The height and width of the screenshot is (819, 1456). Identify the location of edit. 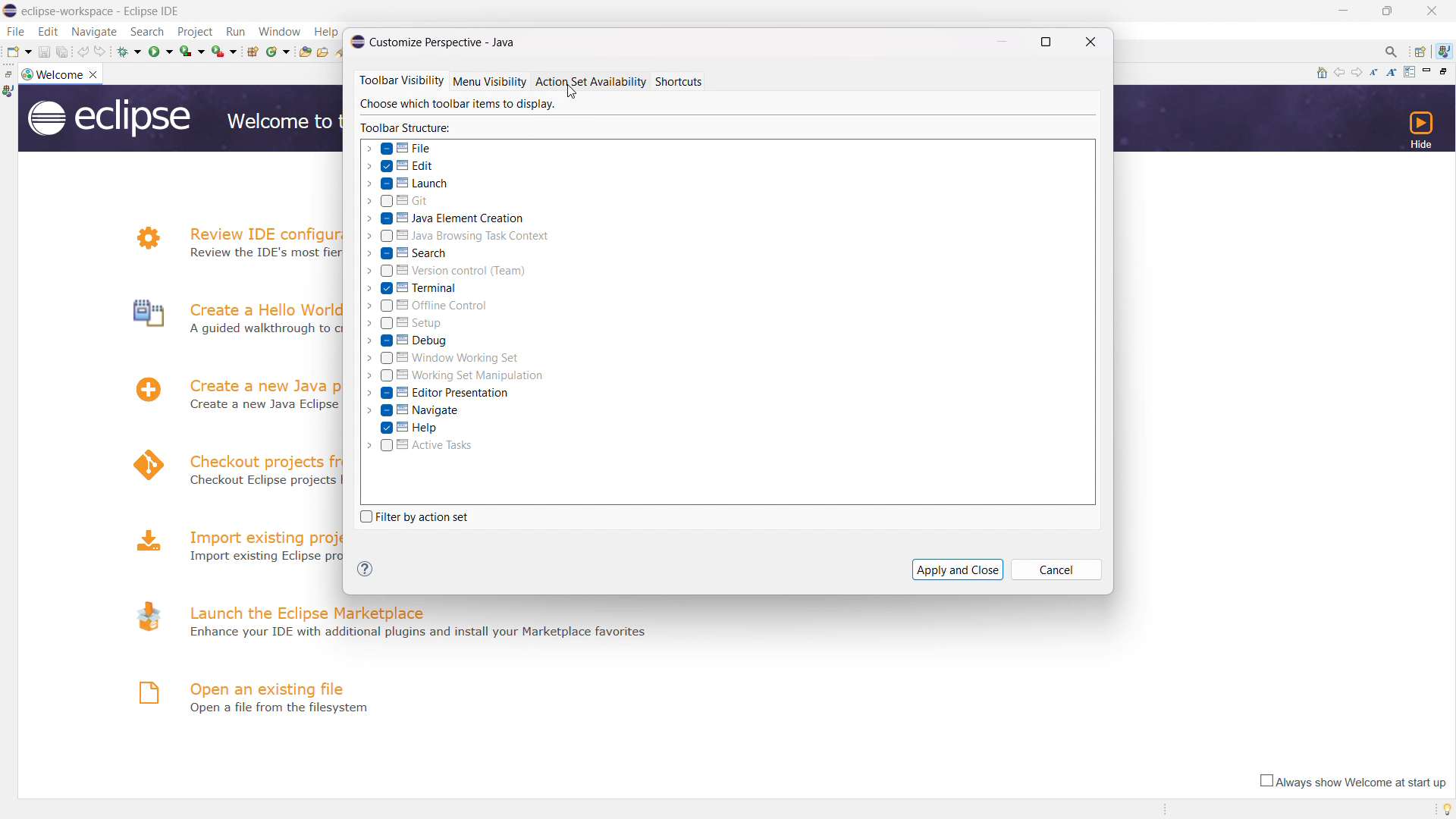
(48, 31).